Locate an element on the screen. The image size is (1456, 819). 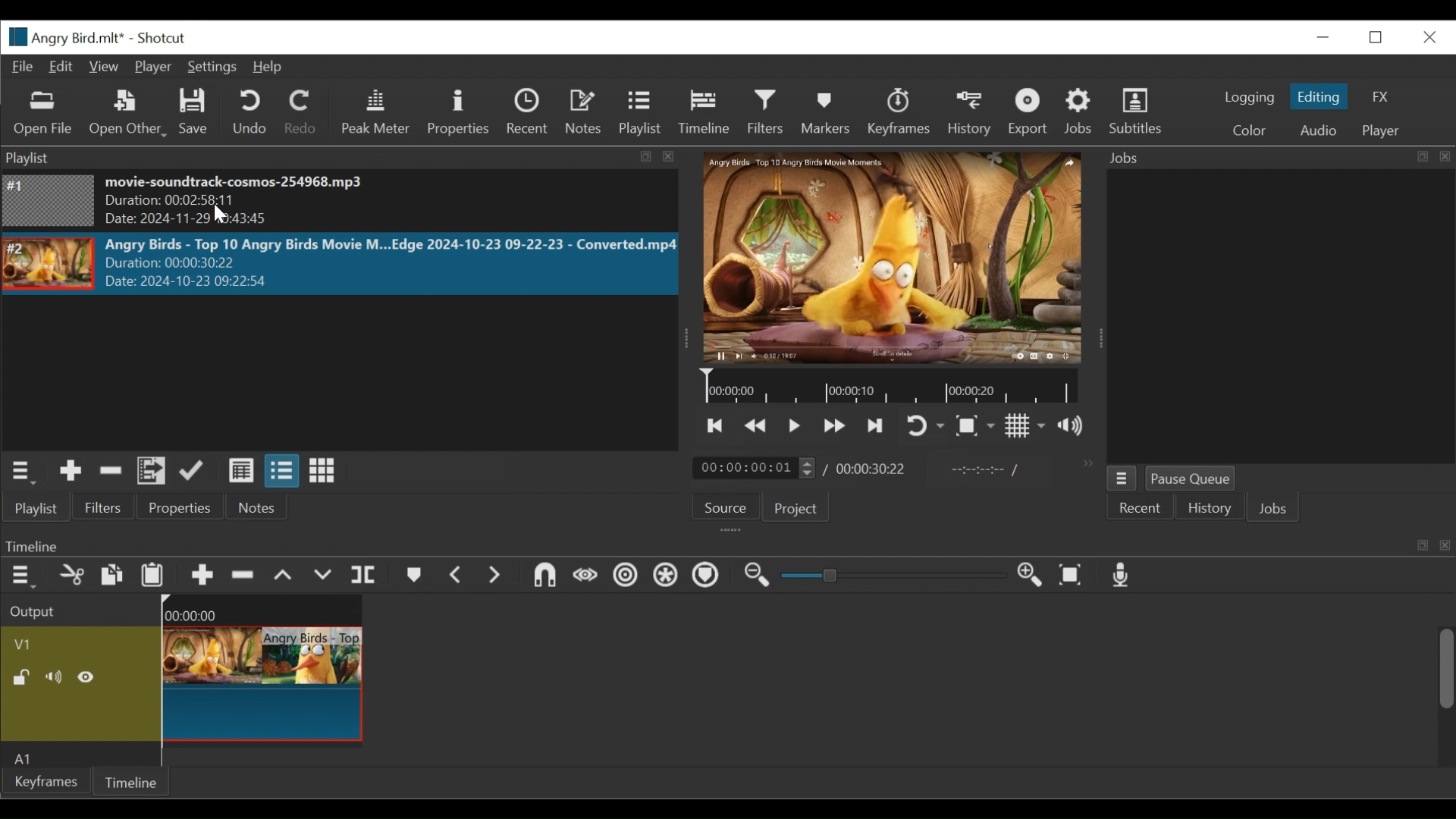
File Name is located at coordinates (65, 36).